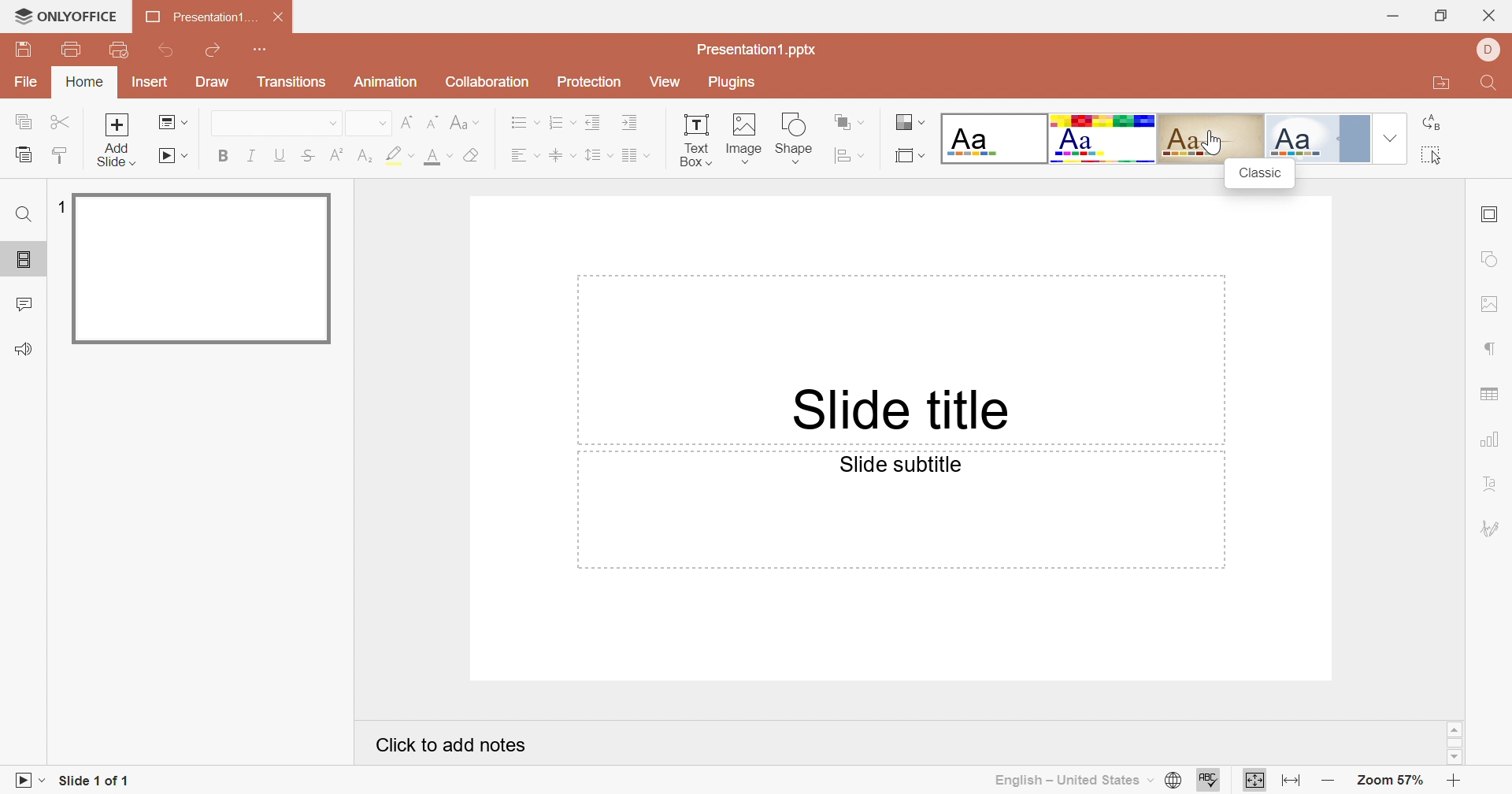 The width and height of the screenshot is (1512, 794). What do you see at coordinates (1492, 305) in the screenshot?
I see `Image settings` at bounding box center [1492, 305].